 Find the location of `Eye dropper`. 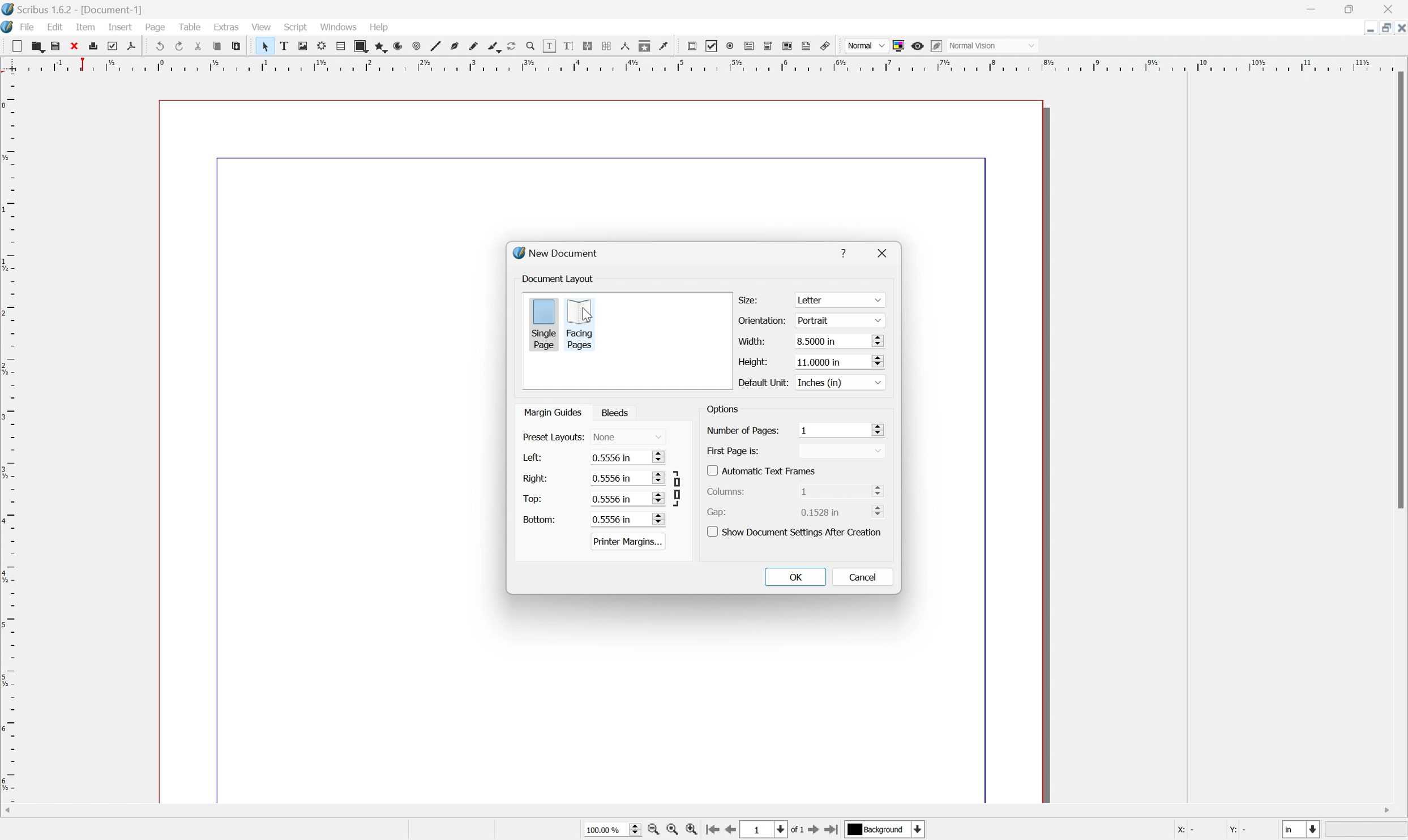

Eye dropper is located at coordinates (665, 46).